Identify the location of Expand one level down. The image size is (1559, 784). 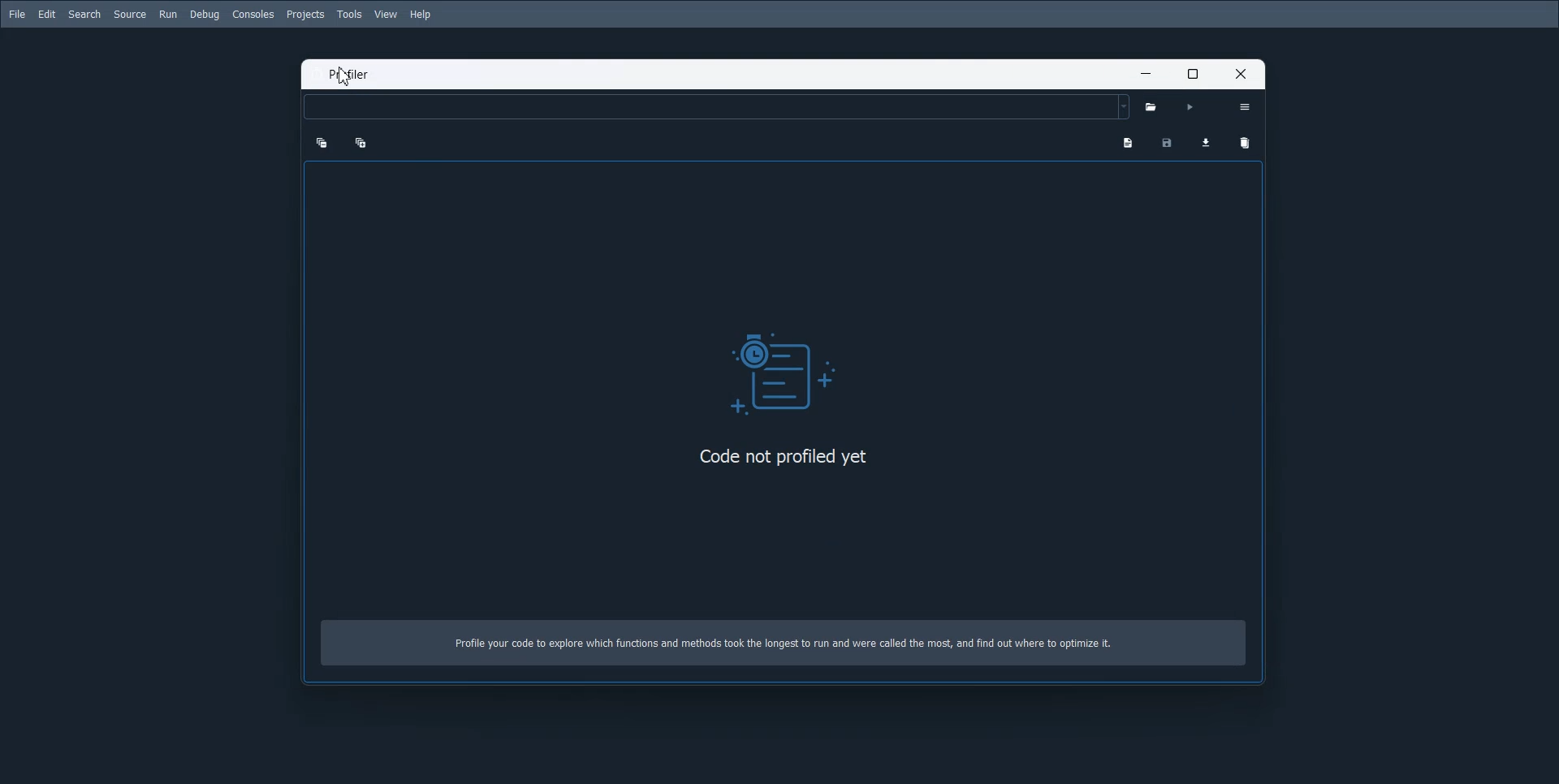
(358, 142).